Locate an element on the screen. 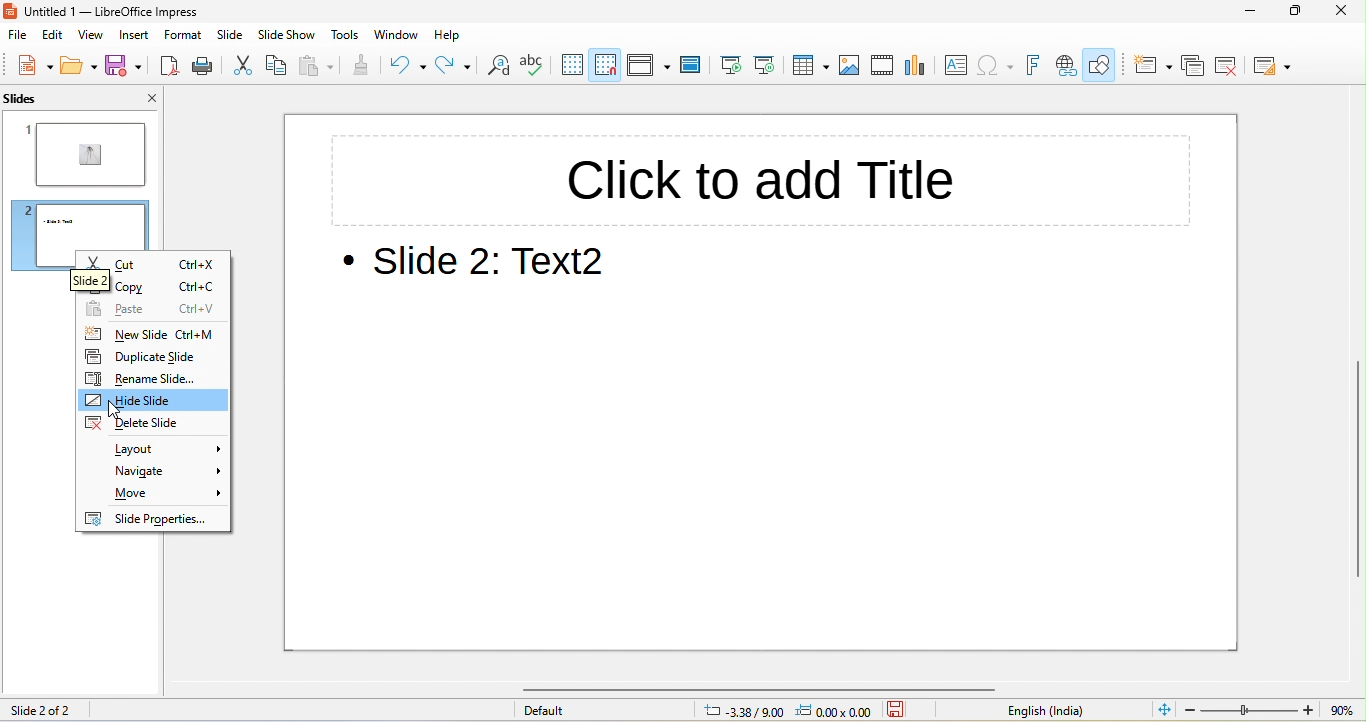  print is located at coordinates (207, 67).